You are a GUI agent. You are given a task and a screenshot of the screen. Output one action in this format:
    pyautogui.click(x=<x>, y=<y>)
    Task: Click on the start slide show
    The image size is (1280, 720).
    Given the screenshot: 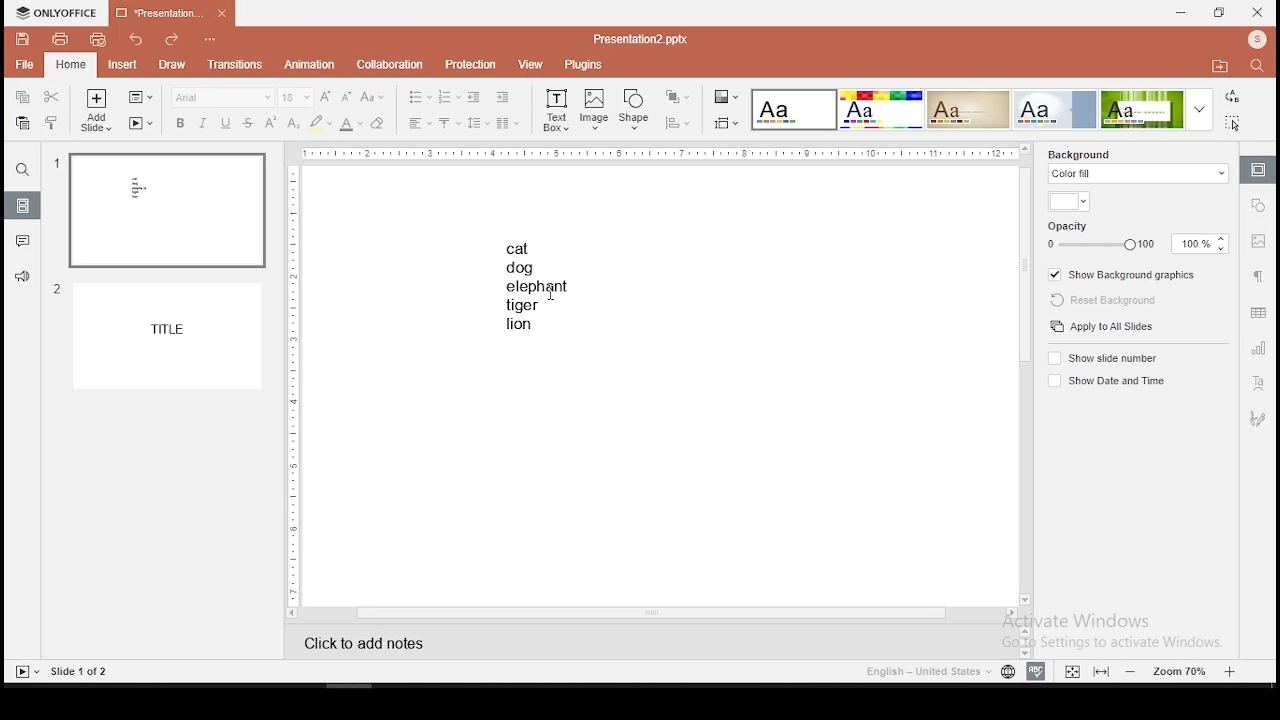 What is the action you would take?
    pyautogui.click(x=24, y=671)
    